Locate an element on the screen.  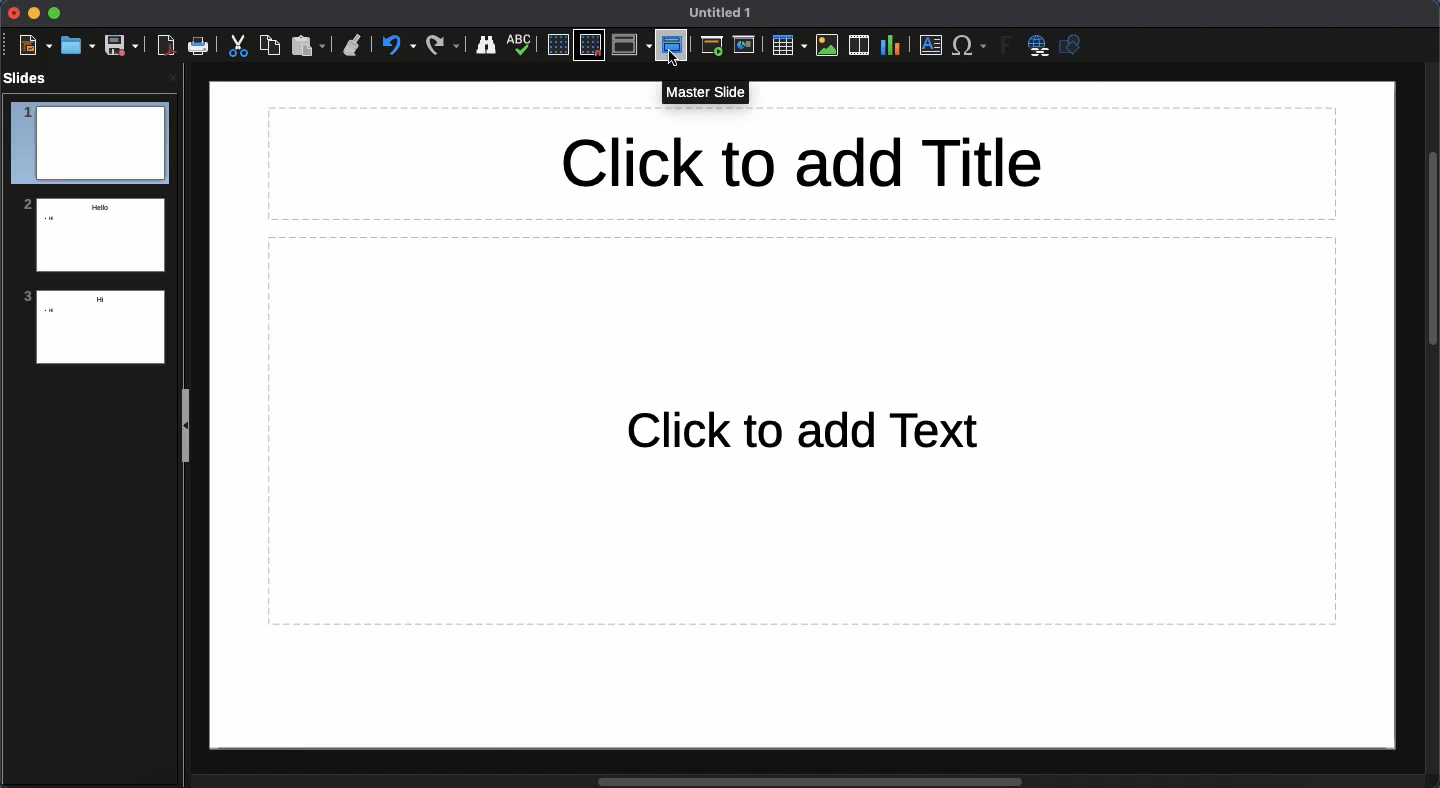
Slides is located at coordinates (28, 76).